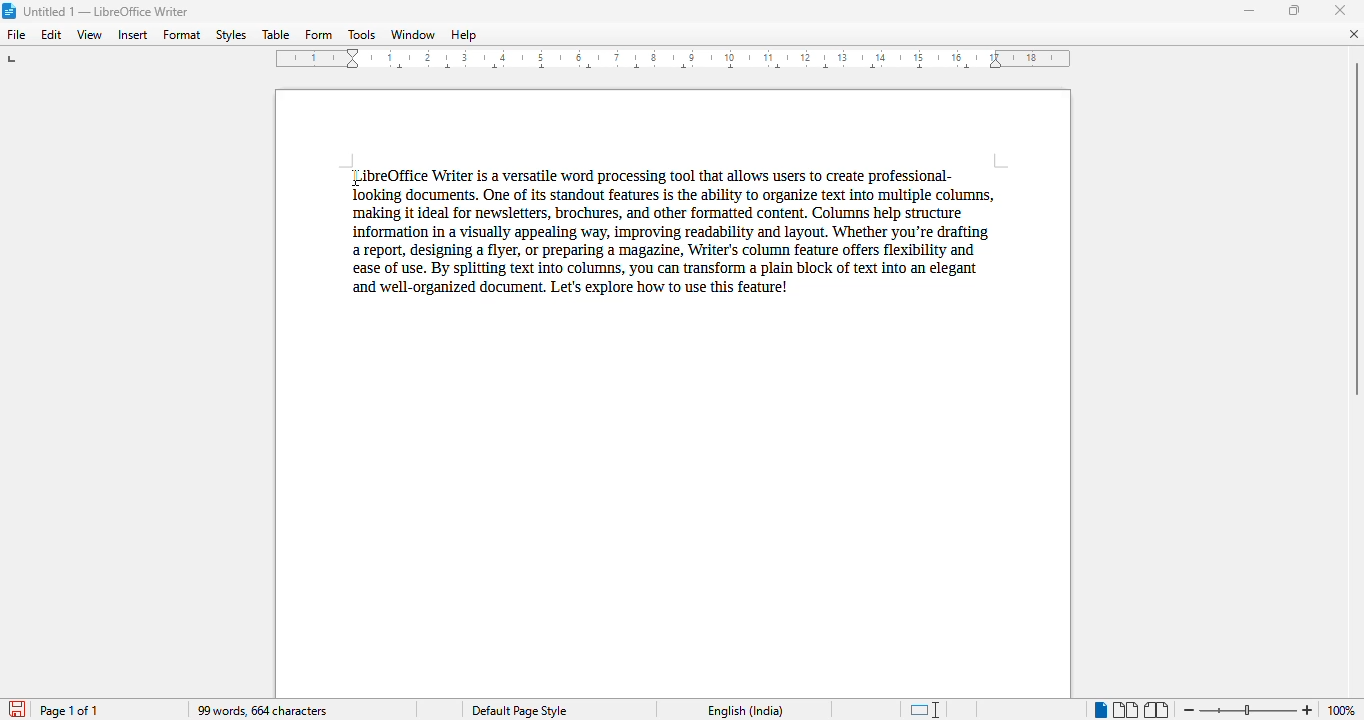  What do you see at coordinates (1190, 710) in the screenshot?
I see `zoom out` at bounding box center [1190, 710].